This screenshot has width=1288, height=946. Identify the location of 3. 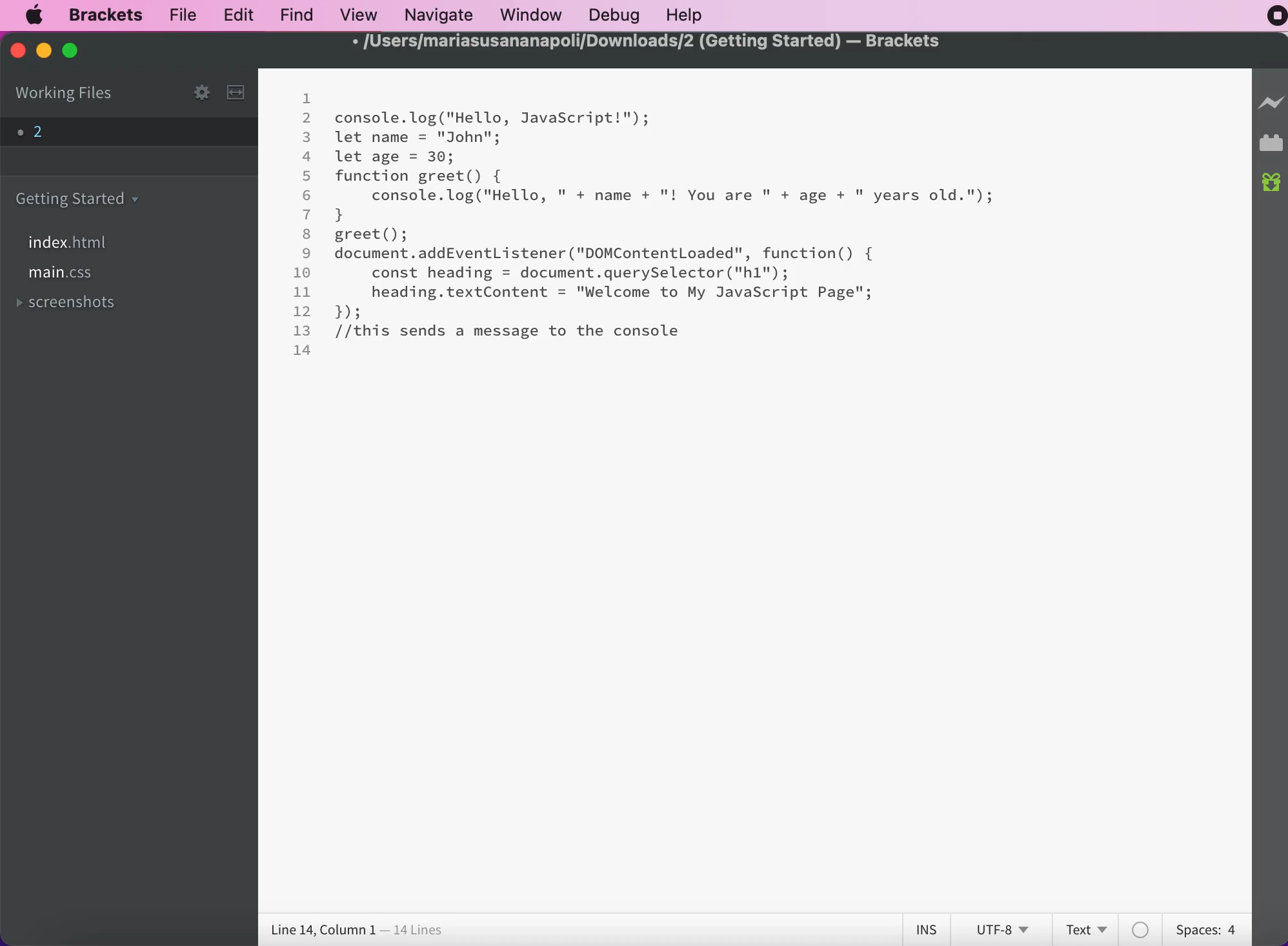
(307, 138).